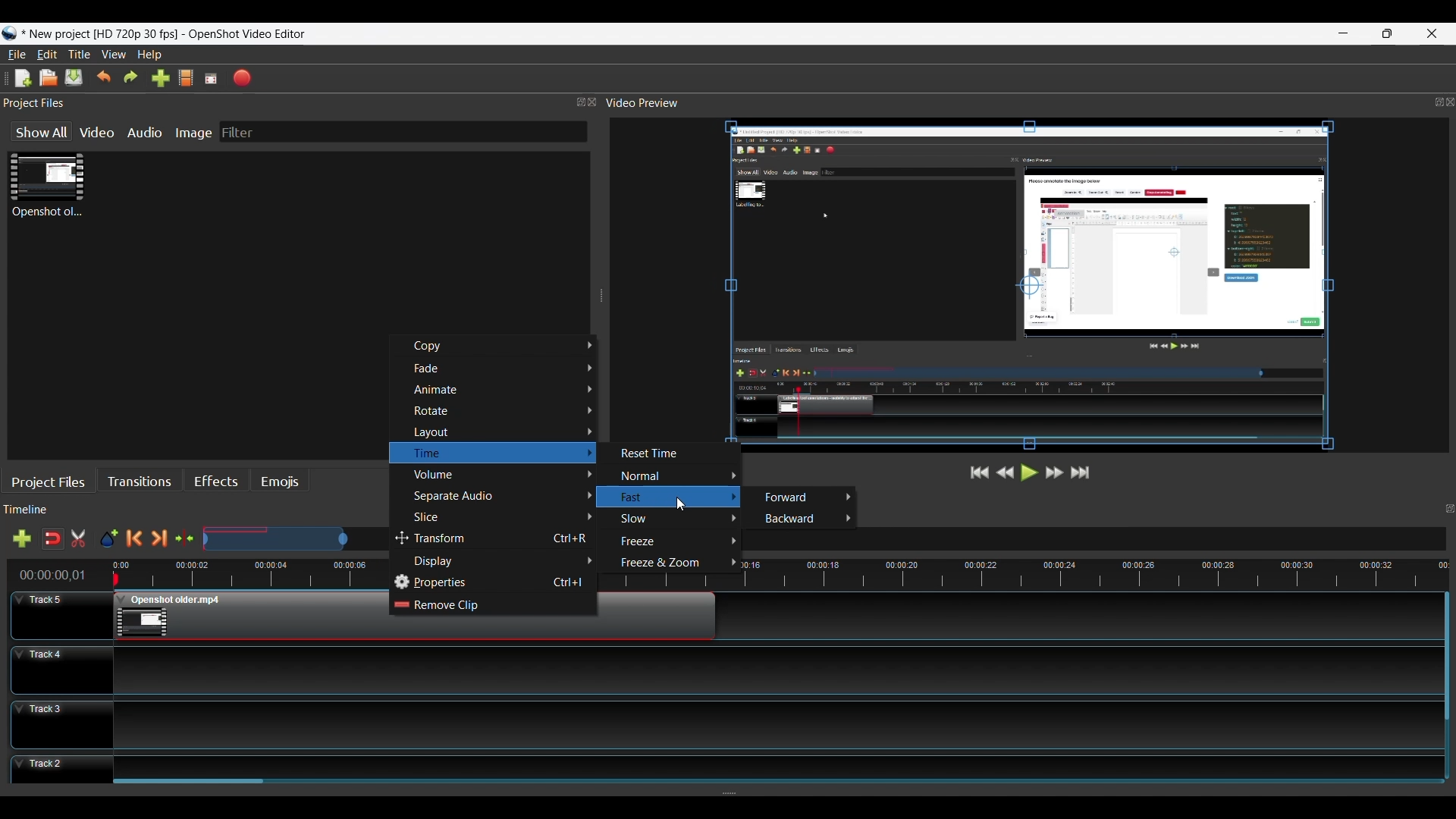 The height and width of the screenshot is (819, 1456). Describe the element at coordinates (1446, 657) in the screenshot. I see `Vertical Scroll bar` at that location.